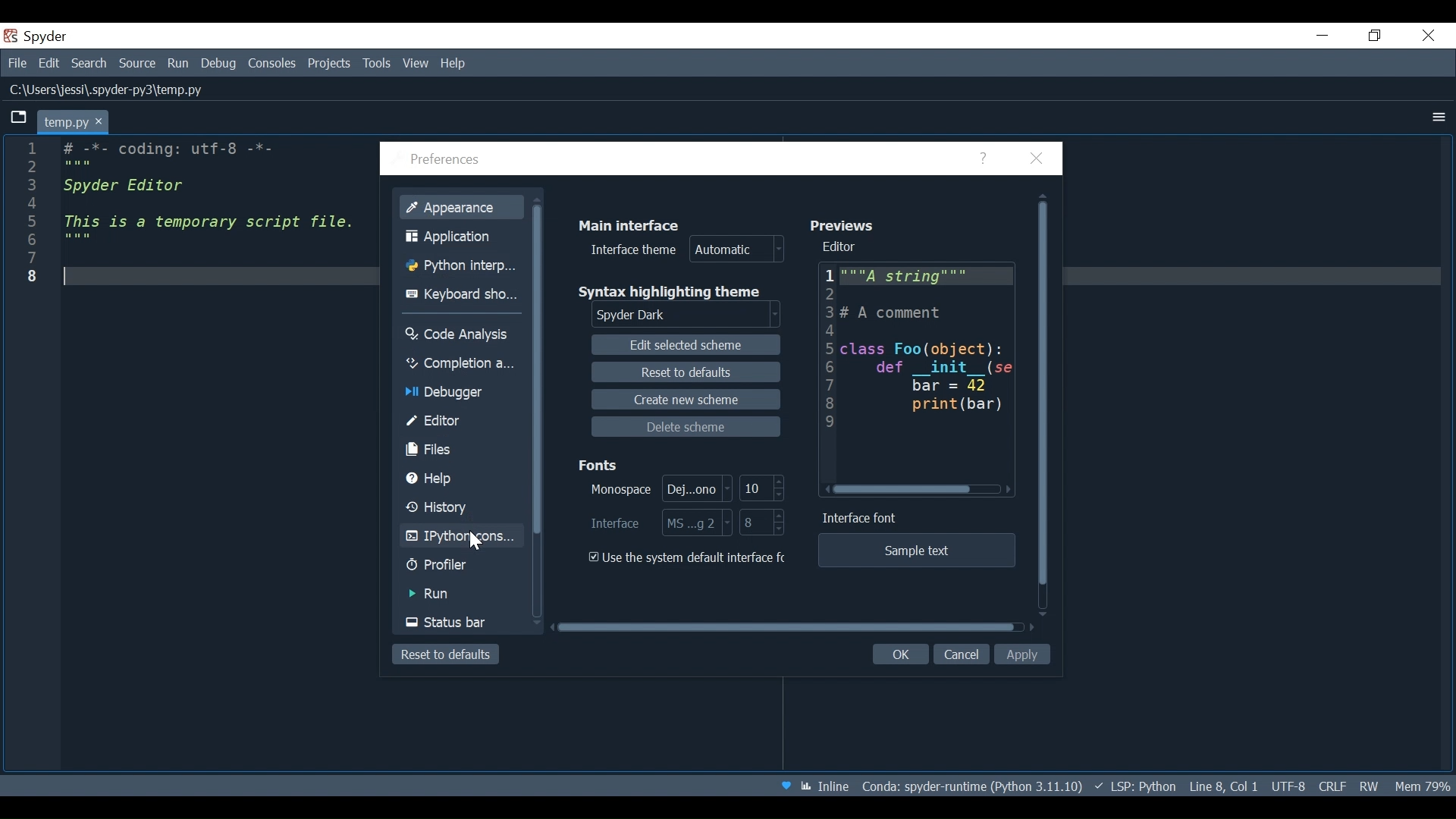  Describe the element at coordinates (1323, 36) in the screenshot. I see `` at that location.